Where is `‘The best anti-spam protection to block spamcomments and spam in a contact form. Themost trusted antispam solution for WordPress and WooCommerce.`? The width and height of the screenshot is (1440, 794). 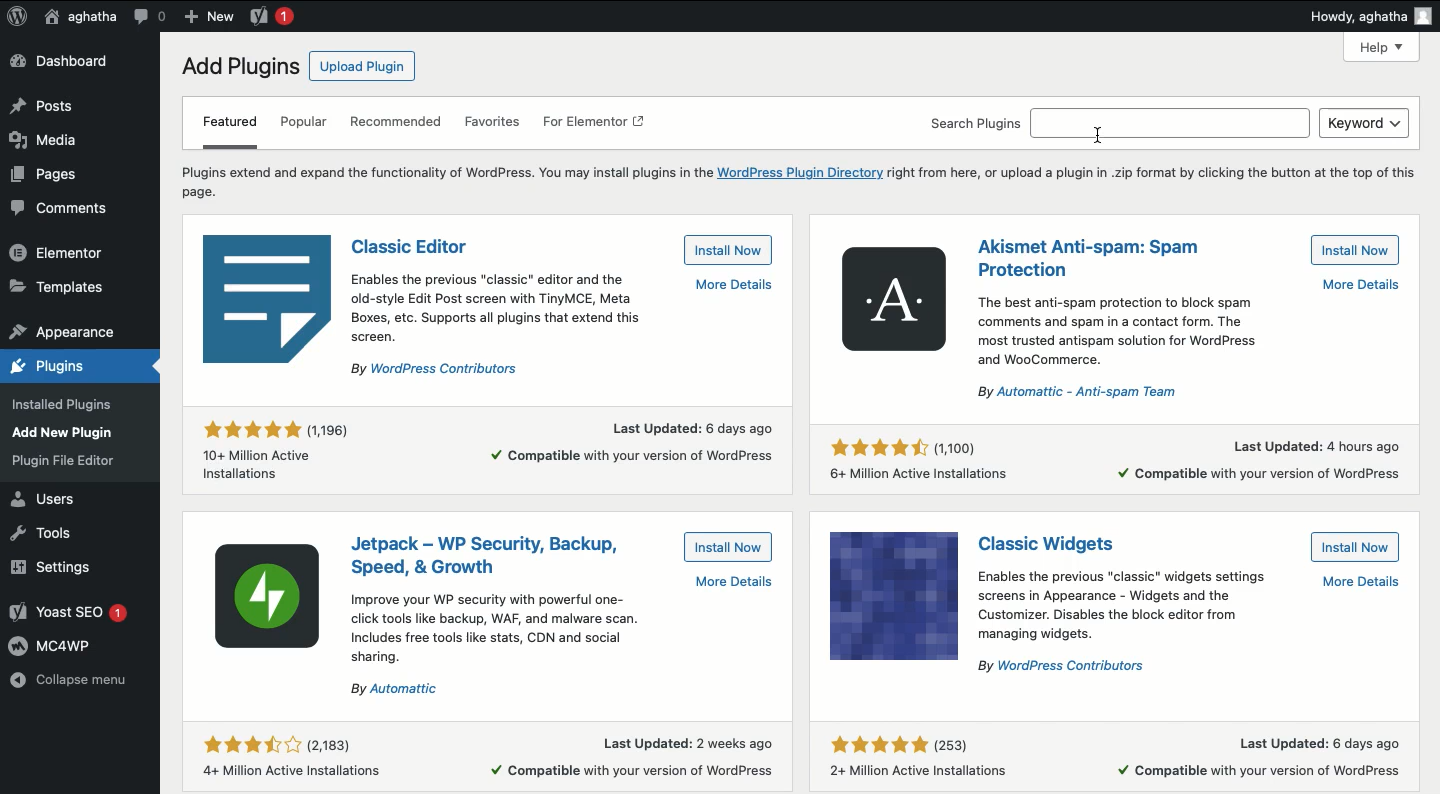 ‘The best anti-spam protection to block spamcomments and spam in a contact form. Themost trusted antispam solution for WordPress and WooCommerce. is located at coordinates (1182, 341).